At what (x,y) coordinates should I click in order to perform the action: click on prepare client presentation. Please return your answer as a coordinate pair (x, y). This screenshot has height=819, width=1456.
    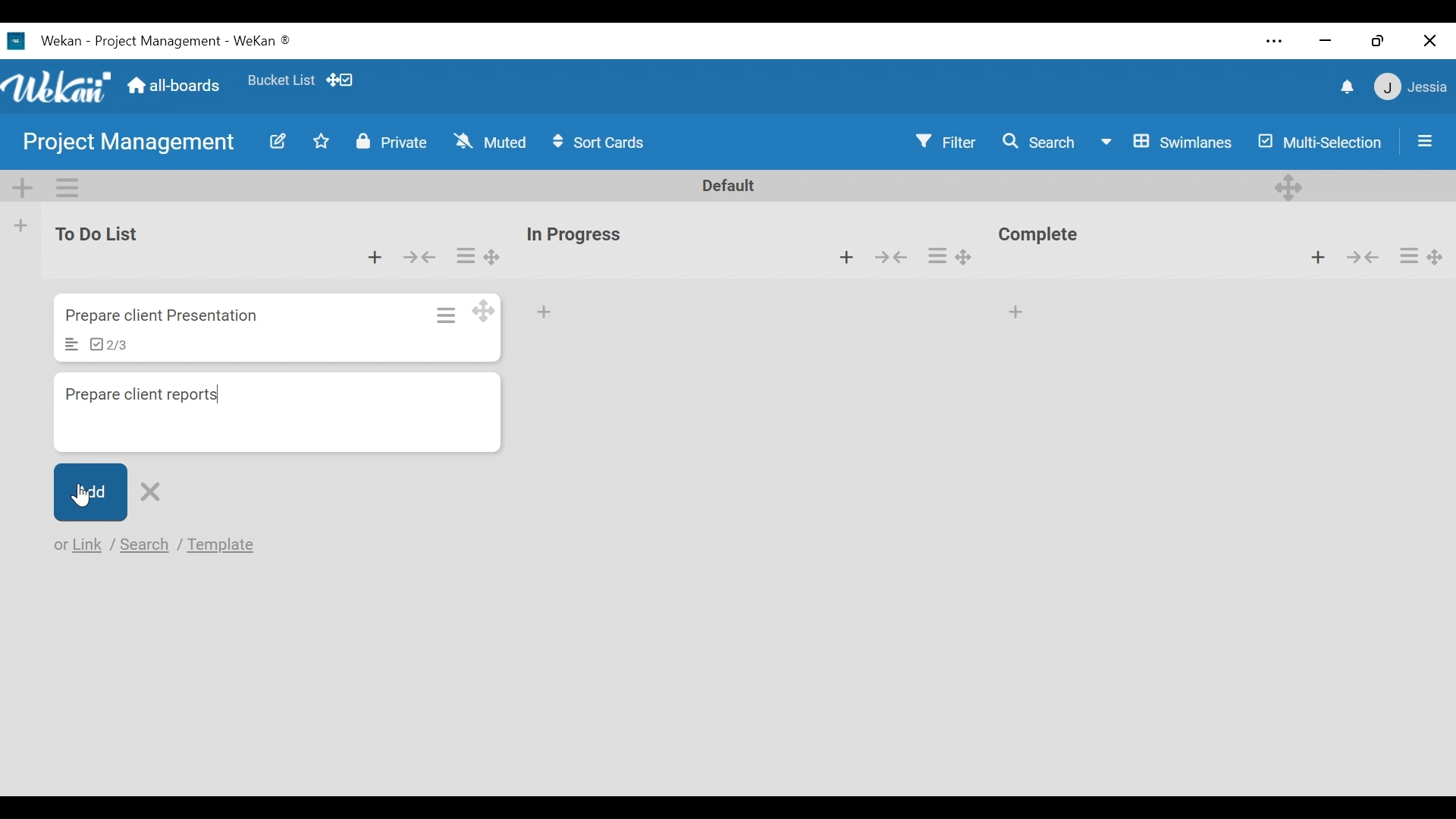
    Looking at the image, I should click on (165, 316).